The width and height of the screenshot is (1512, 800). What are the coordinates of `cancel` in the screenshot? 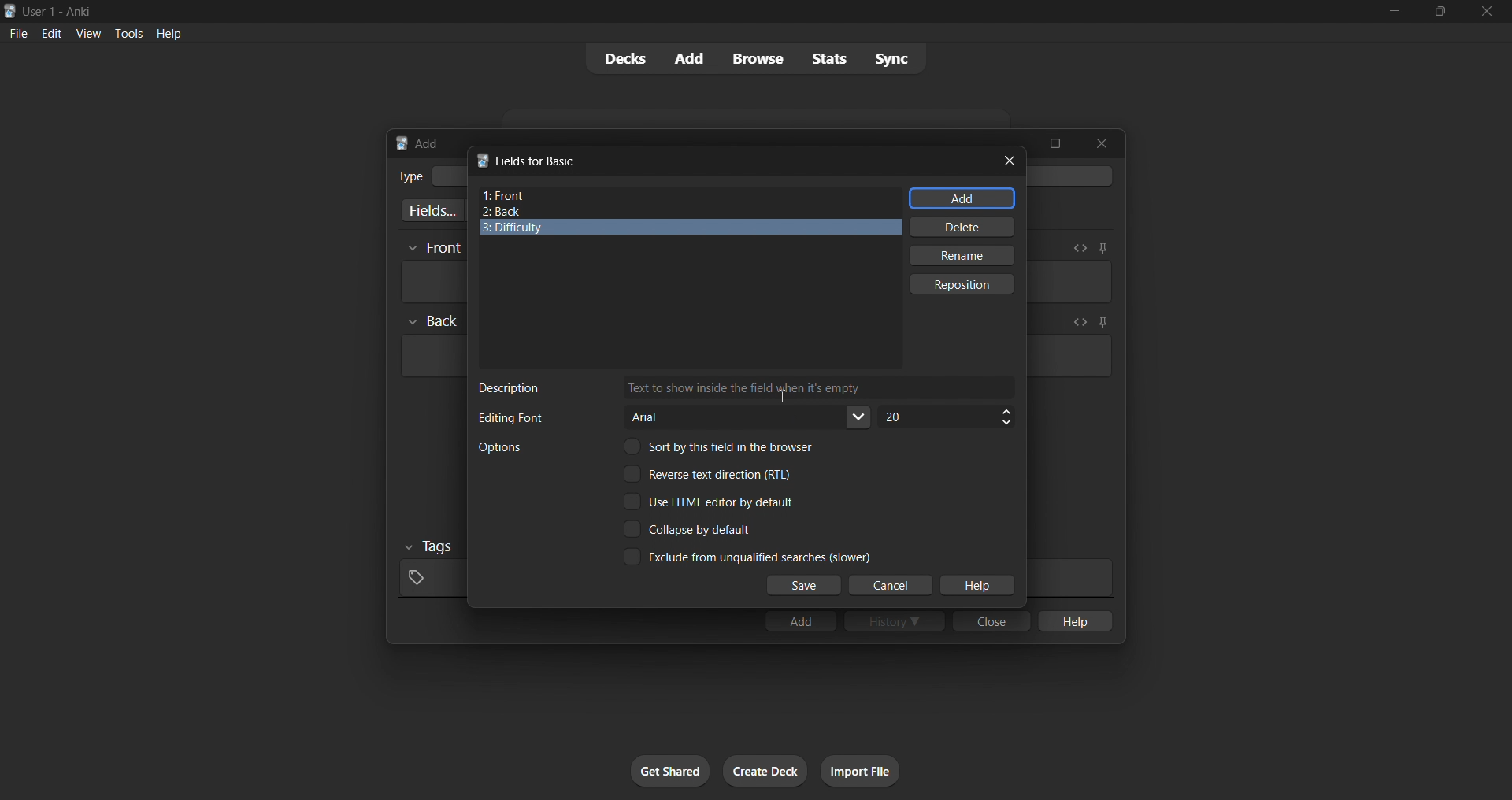 It's located at (892, 586).